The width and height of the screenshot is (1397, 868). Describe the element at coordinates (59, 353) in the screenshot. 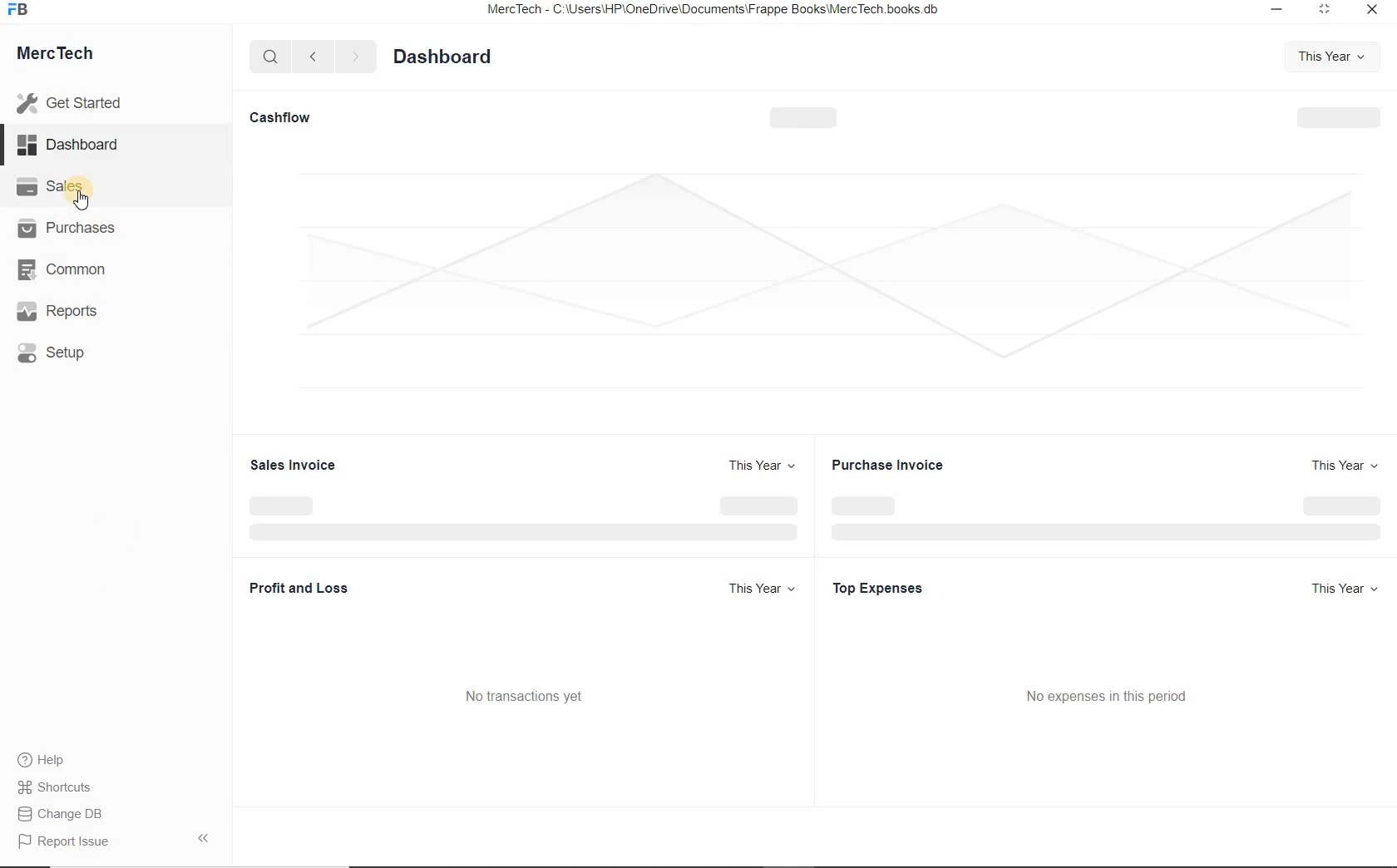

I see `Setup` at that location.